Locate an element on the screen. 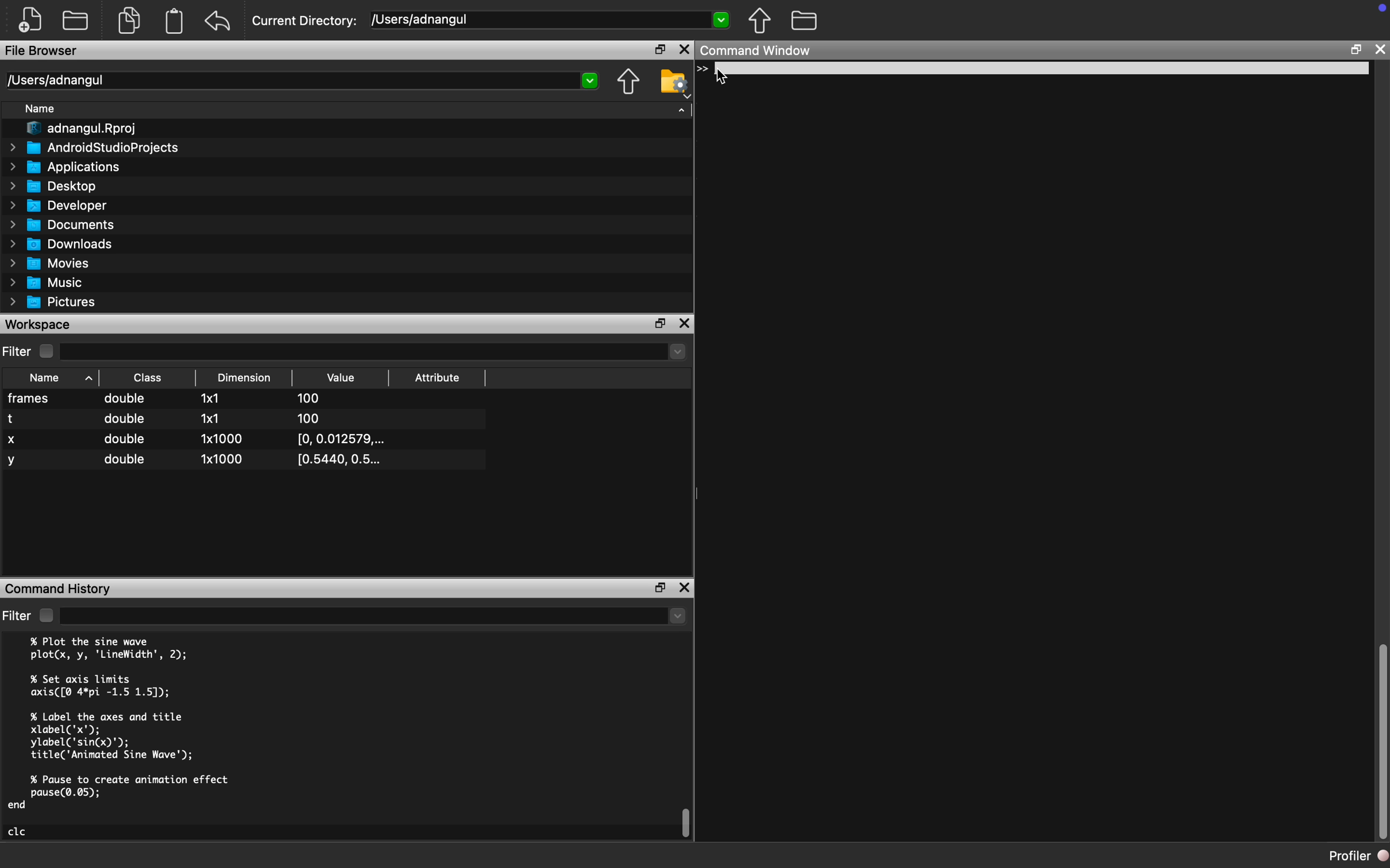 The image size is (1390, 868). Dropdown is located at coordinates (372, 618).